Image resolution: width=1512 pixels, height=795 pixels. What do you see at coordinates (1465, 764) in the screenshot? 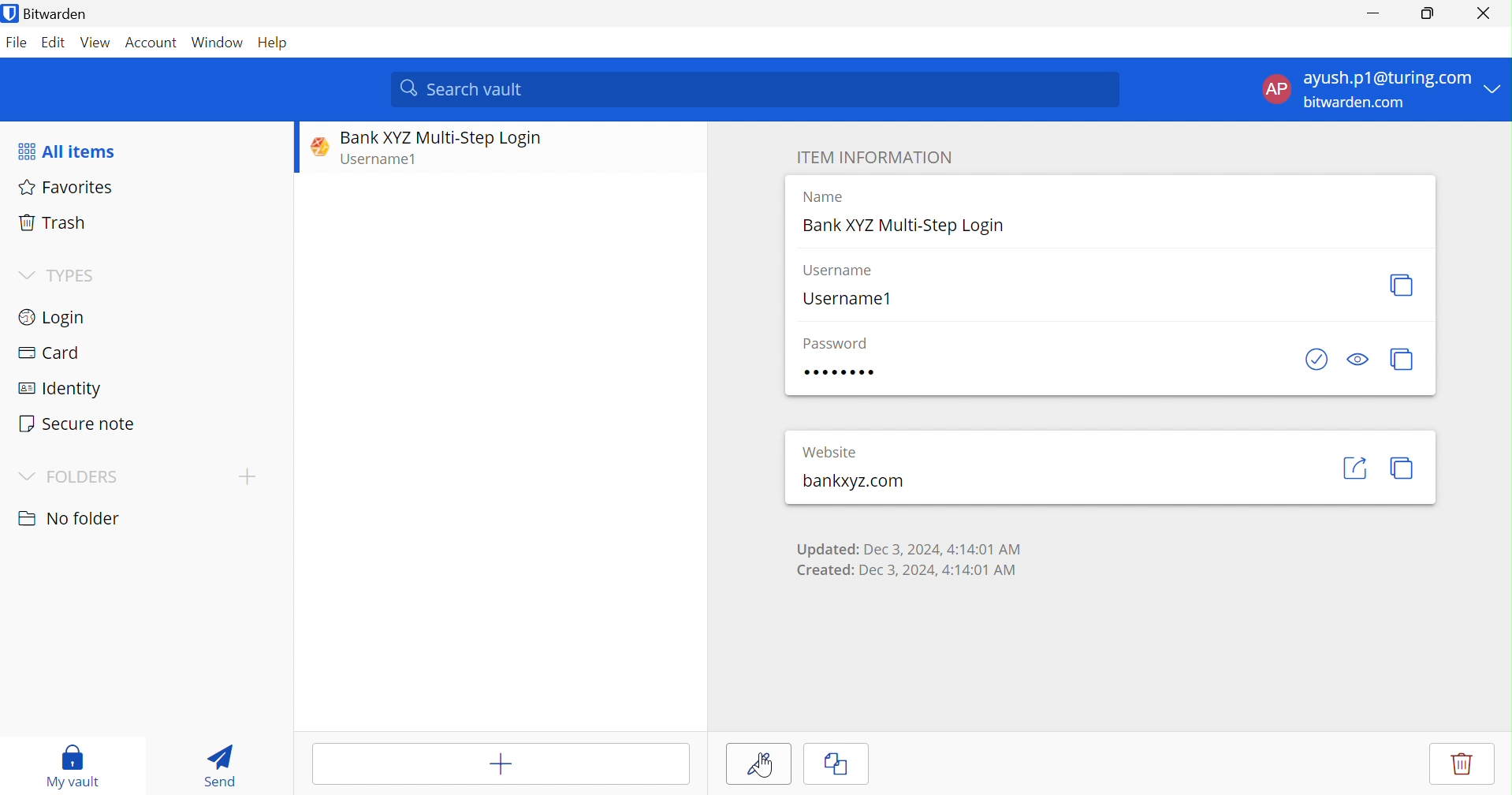
I see `Delete` at bounding box center [1465, 764].